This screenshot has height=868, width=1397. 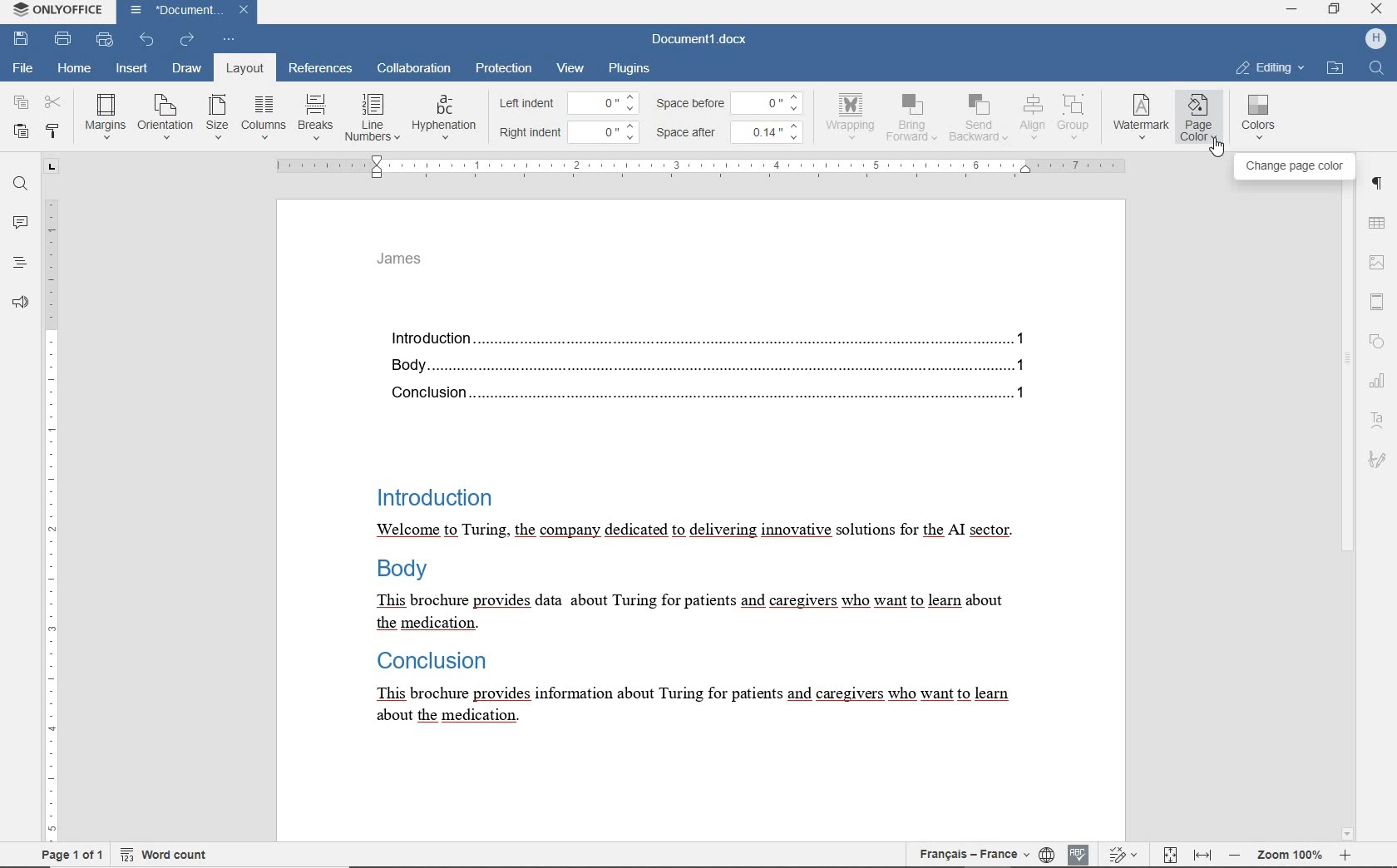 What do you see at coordinates (52, 499) in the screenshot?
I see `ruler` at bounding box center [52, 499].